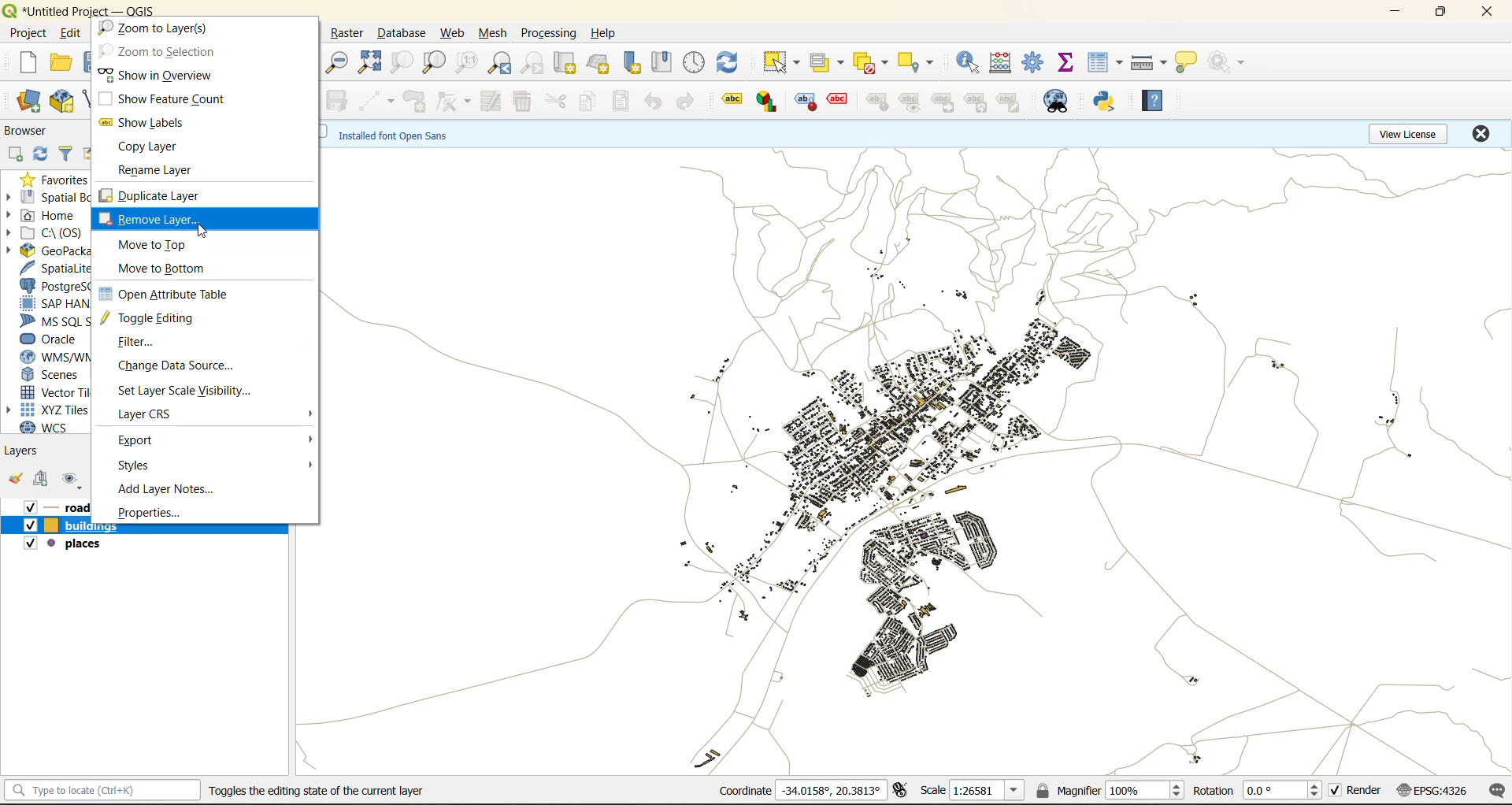 This screenshot has height=805, width=1512. What do you see at coordinates (105, 789) in the screenshot?
I see `statusbar` at bounding box center [105, 789].